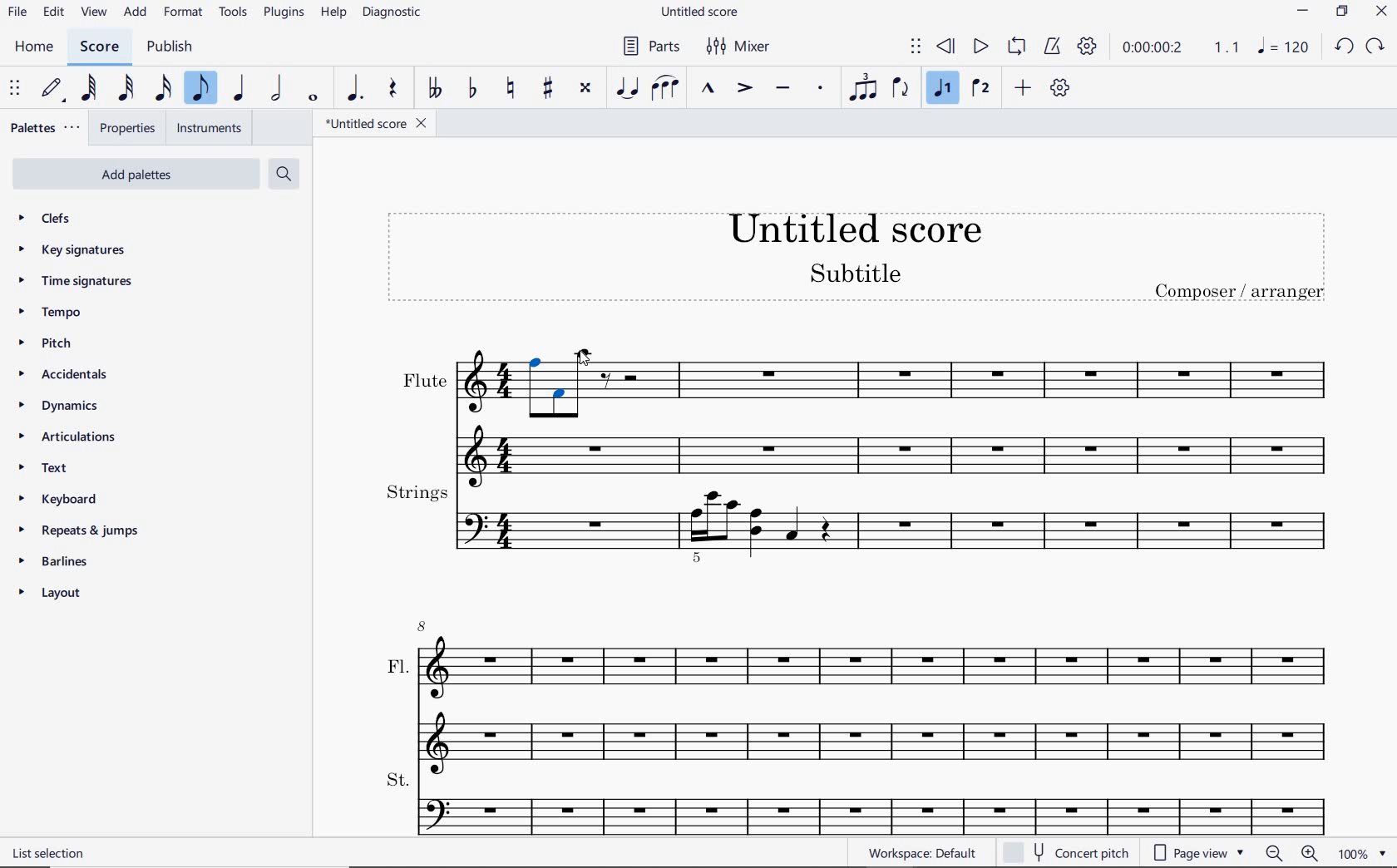  Describe the element at coordinates (876, 692) in the screenshot. I see `fl.` at that location.